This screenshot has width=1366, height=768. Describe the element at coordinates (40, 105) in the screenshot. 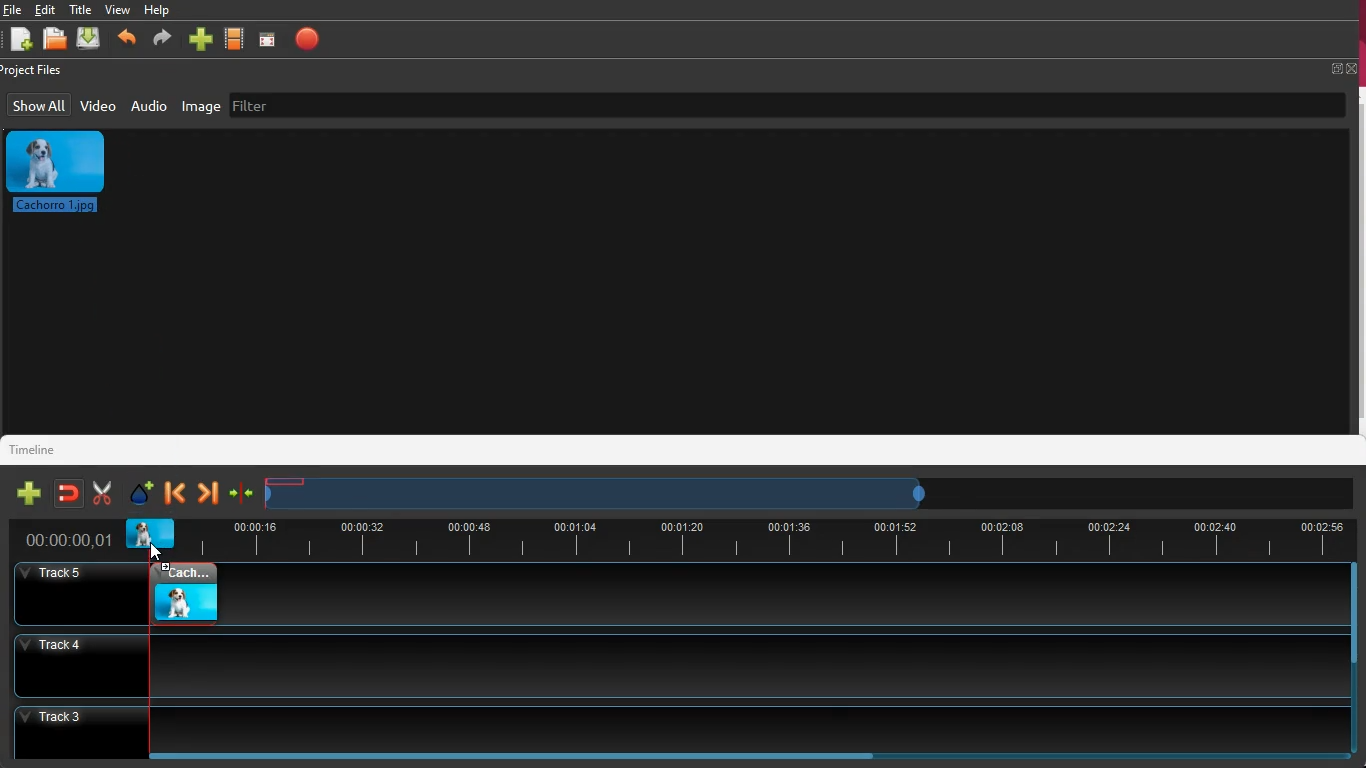

I see `show all` at that location.